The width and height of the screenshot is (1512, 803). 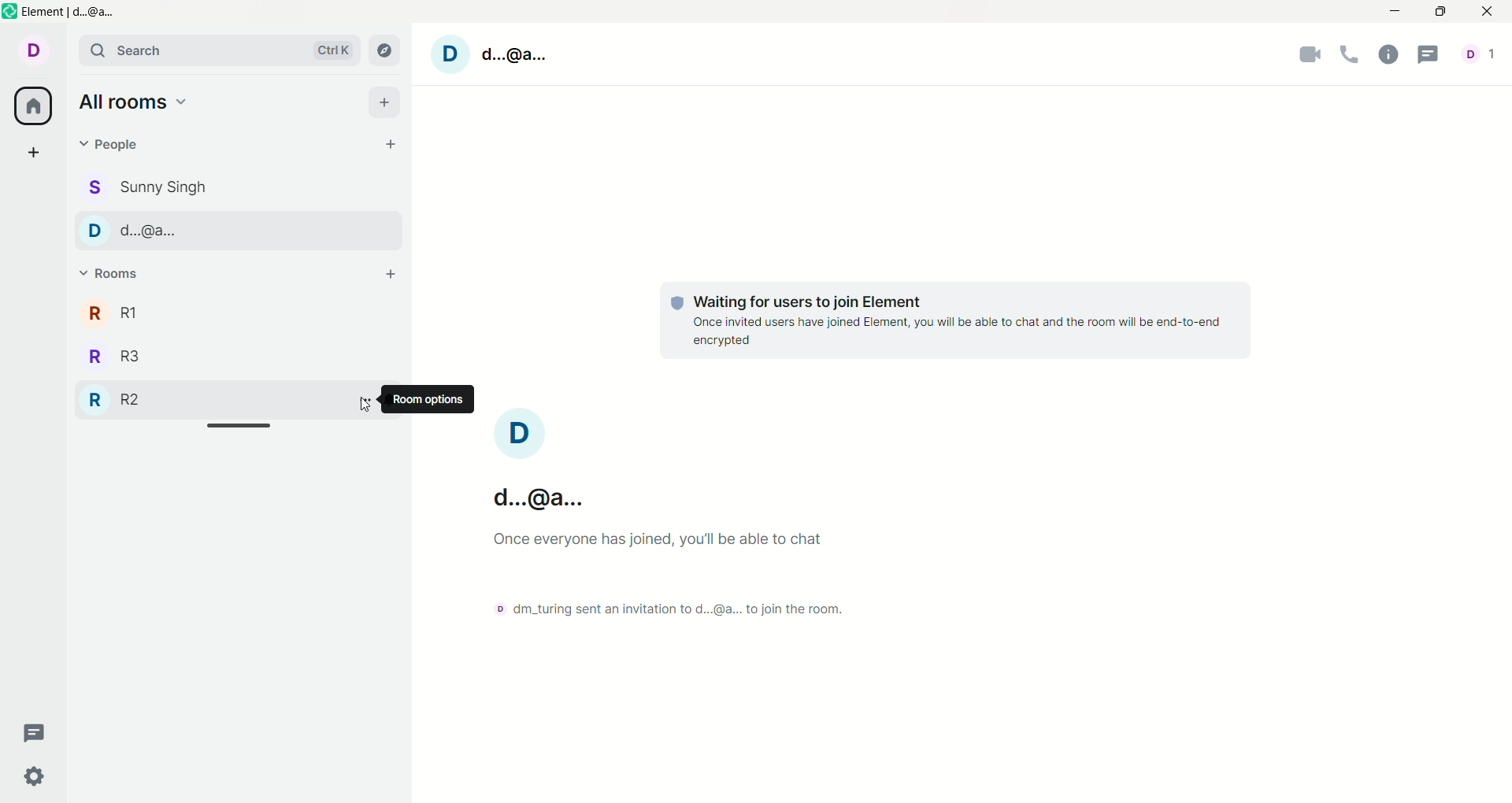 What do you see at coordinates (364, 405) in the screenshot?
I see `Cursor` at bounding box center [364, 405].